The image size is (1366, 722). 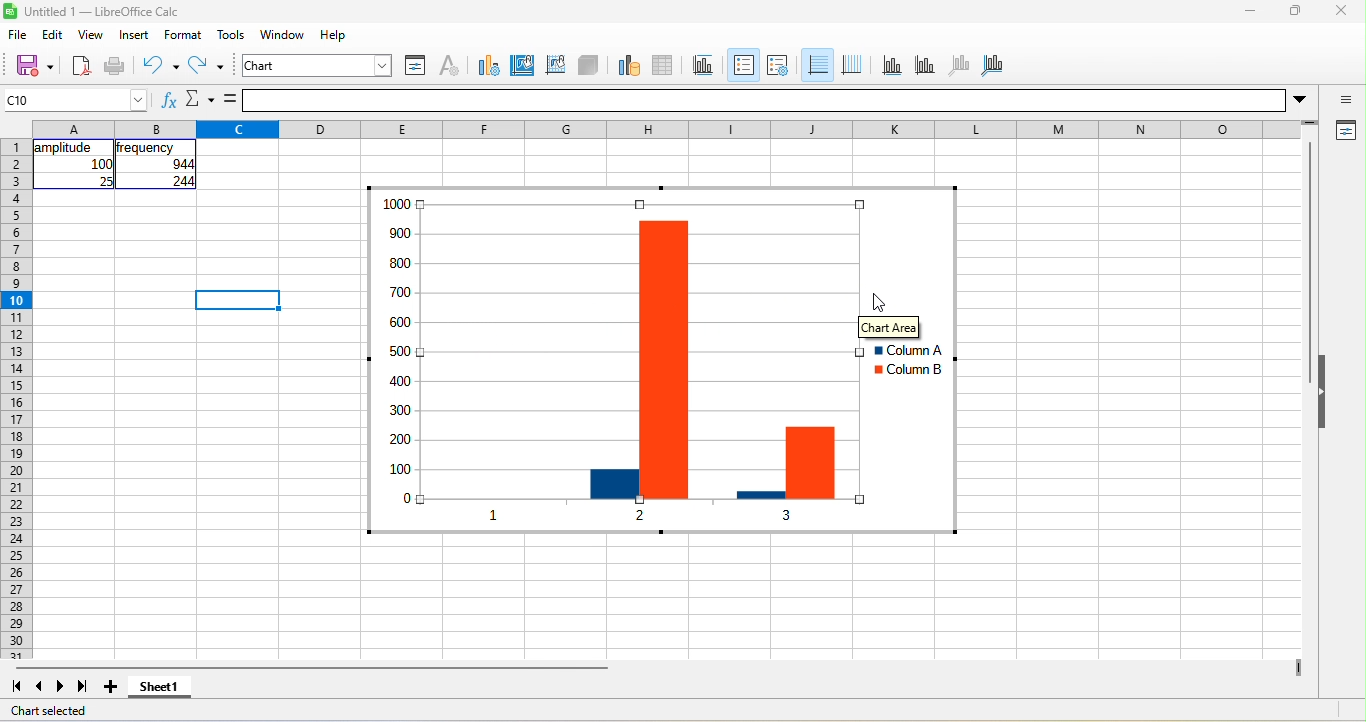 What do you see at coordinates (593, 362) in the screenshot?
I see `chart` at bounding box center [593, 362].